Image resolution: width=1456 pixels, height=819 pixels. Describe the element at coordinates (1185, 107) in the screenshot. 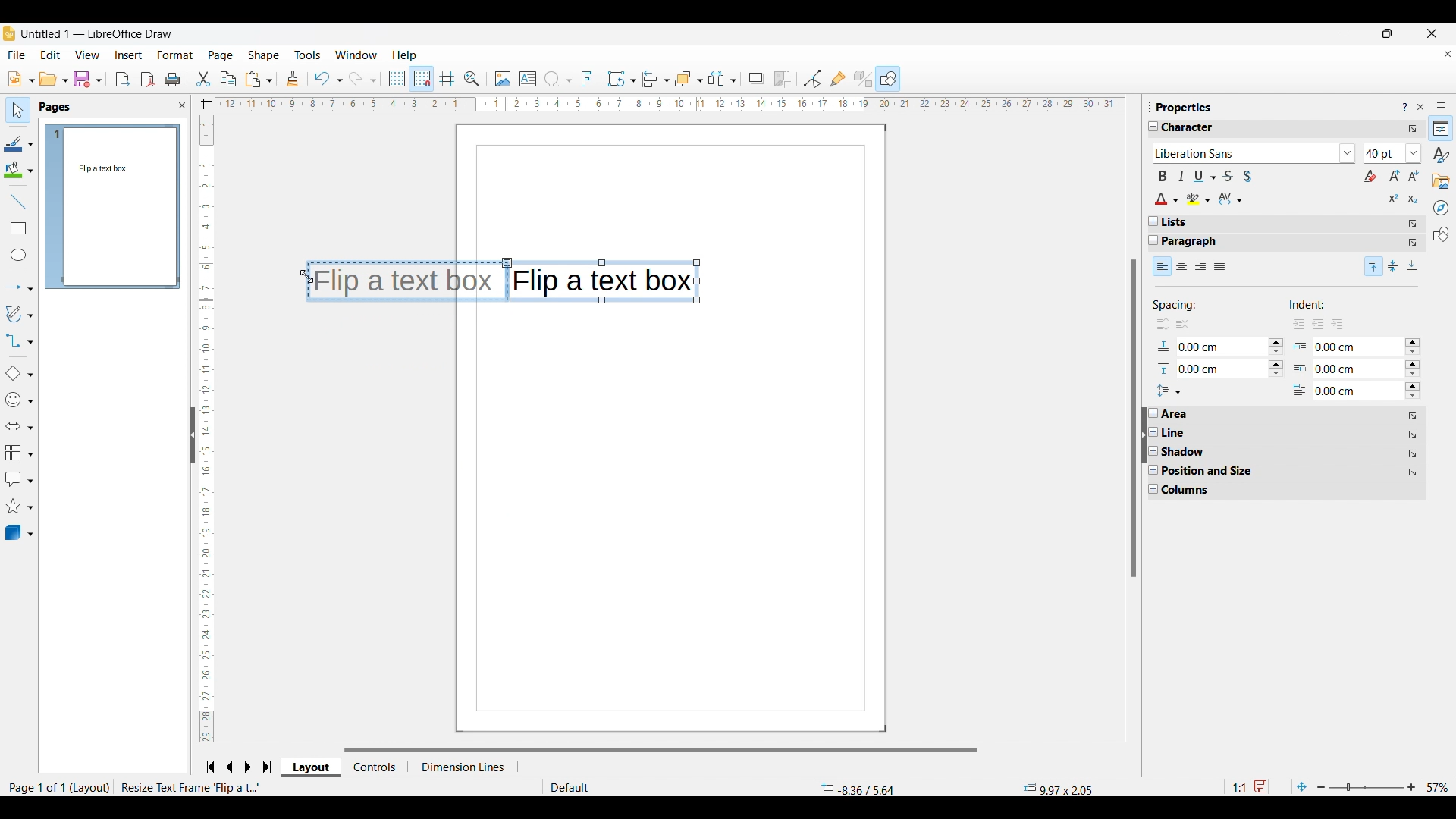

I see `properties` at that location.